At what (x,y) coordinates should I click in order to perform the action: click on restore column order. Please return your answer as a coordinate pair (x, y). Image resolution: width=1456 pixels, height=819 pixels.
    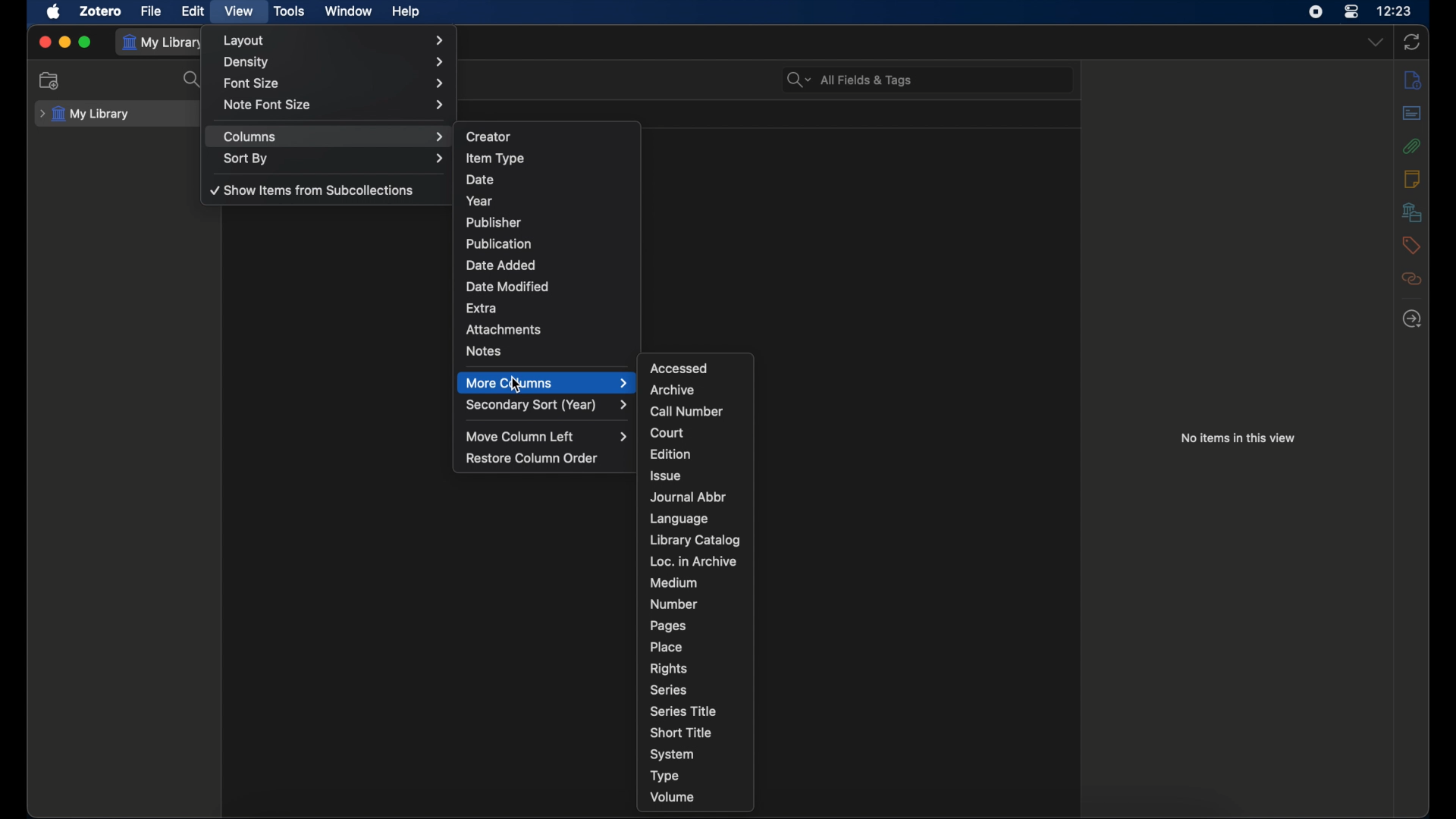
    Looking at the image, I should click on (533, 458).